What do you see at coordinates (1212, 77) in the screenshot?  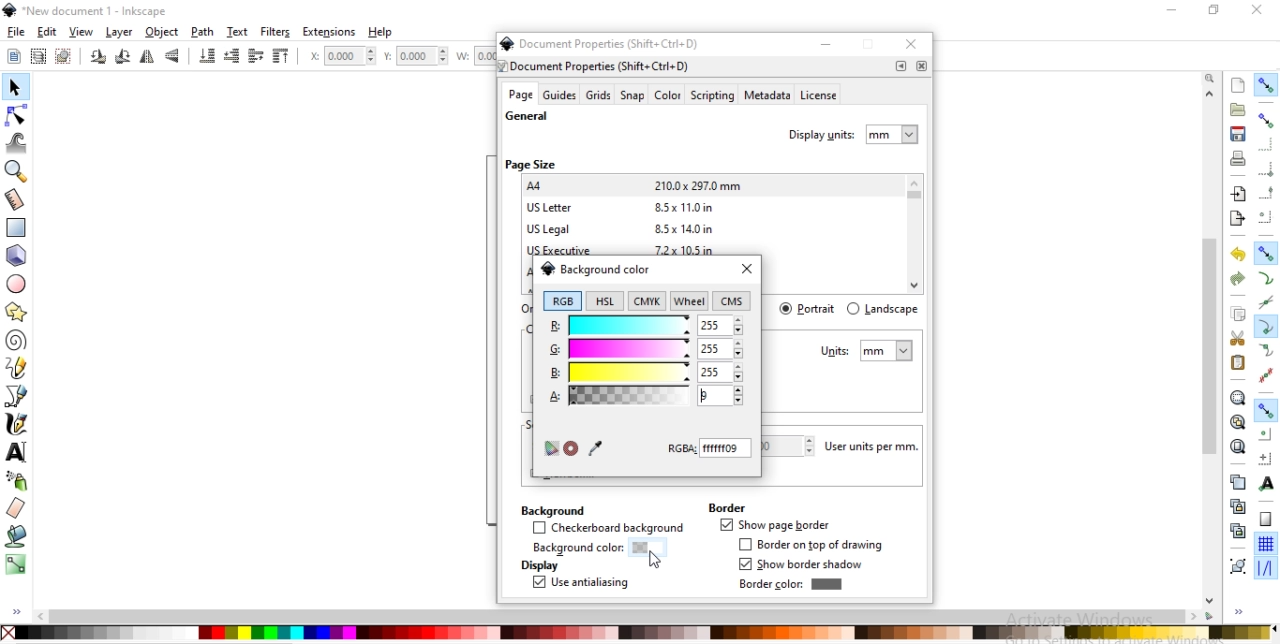 I see `zoom` at bounding box center [1212, 77].